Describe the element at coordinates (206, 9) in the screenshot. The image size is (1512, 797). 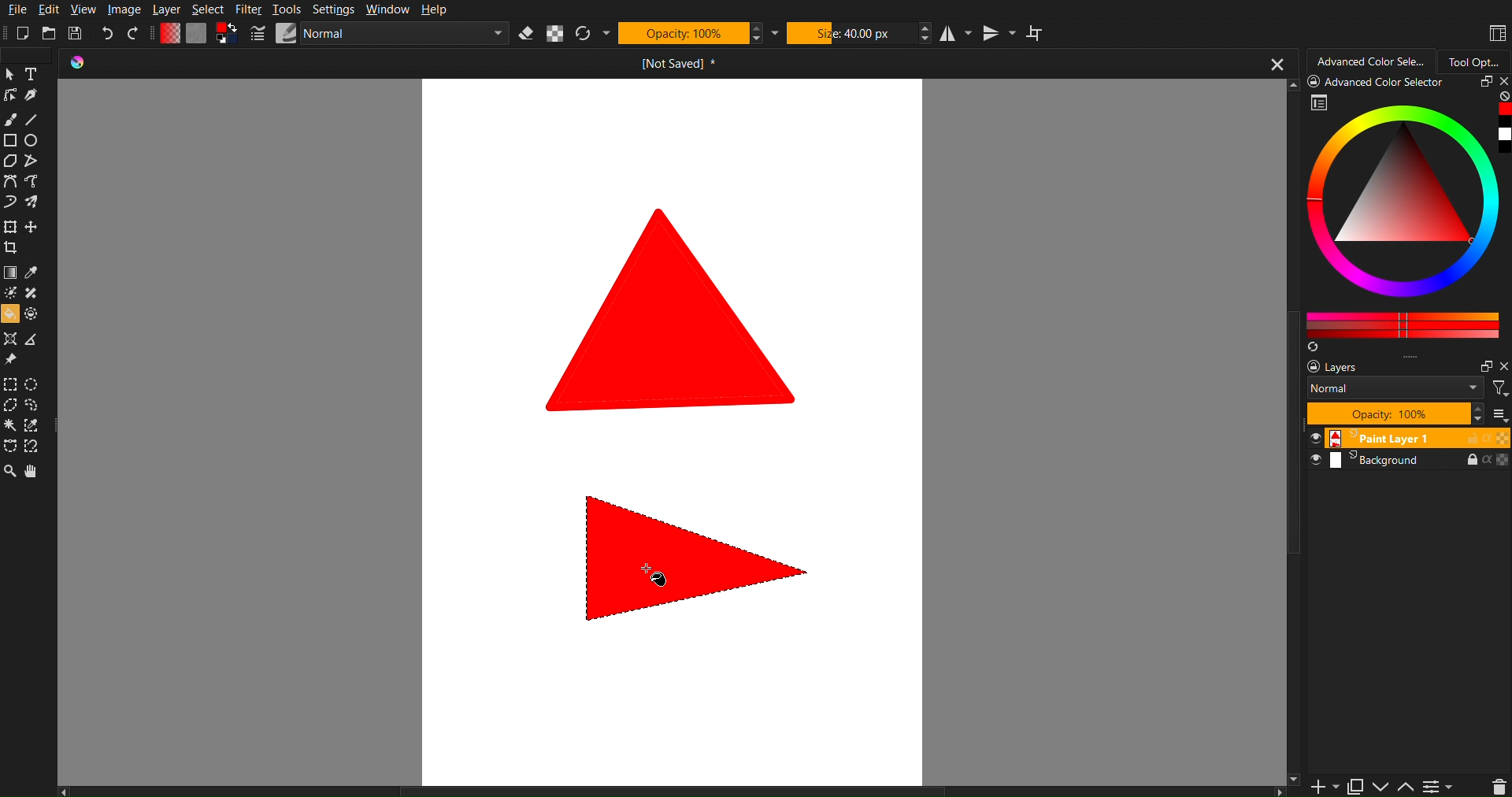
I see `Select` at that location.